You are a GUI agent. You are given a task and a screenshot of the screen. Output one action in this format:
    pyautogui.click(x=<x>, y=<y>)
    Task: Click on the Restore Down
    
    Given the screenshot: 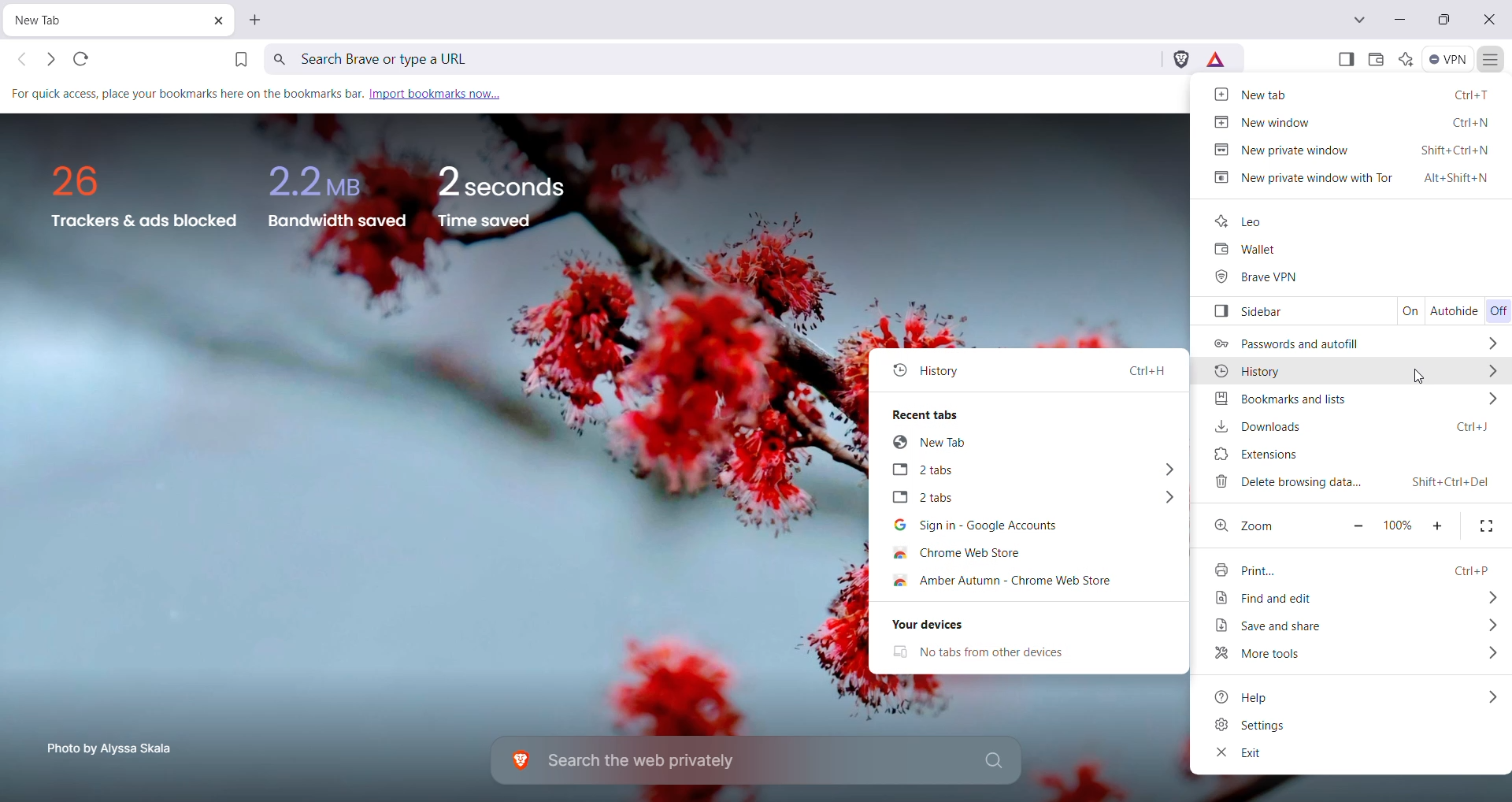 What is the action you would take?
    pyautogui.click(x=1443, y=21)
    